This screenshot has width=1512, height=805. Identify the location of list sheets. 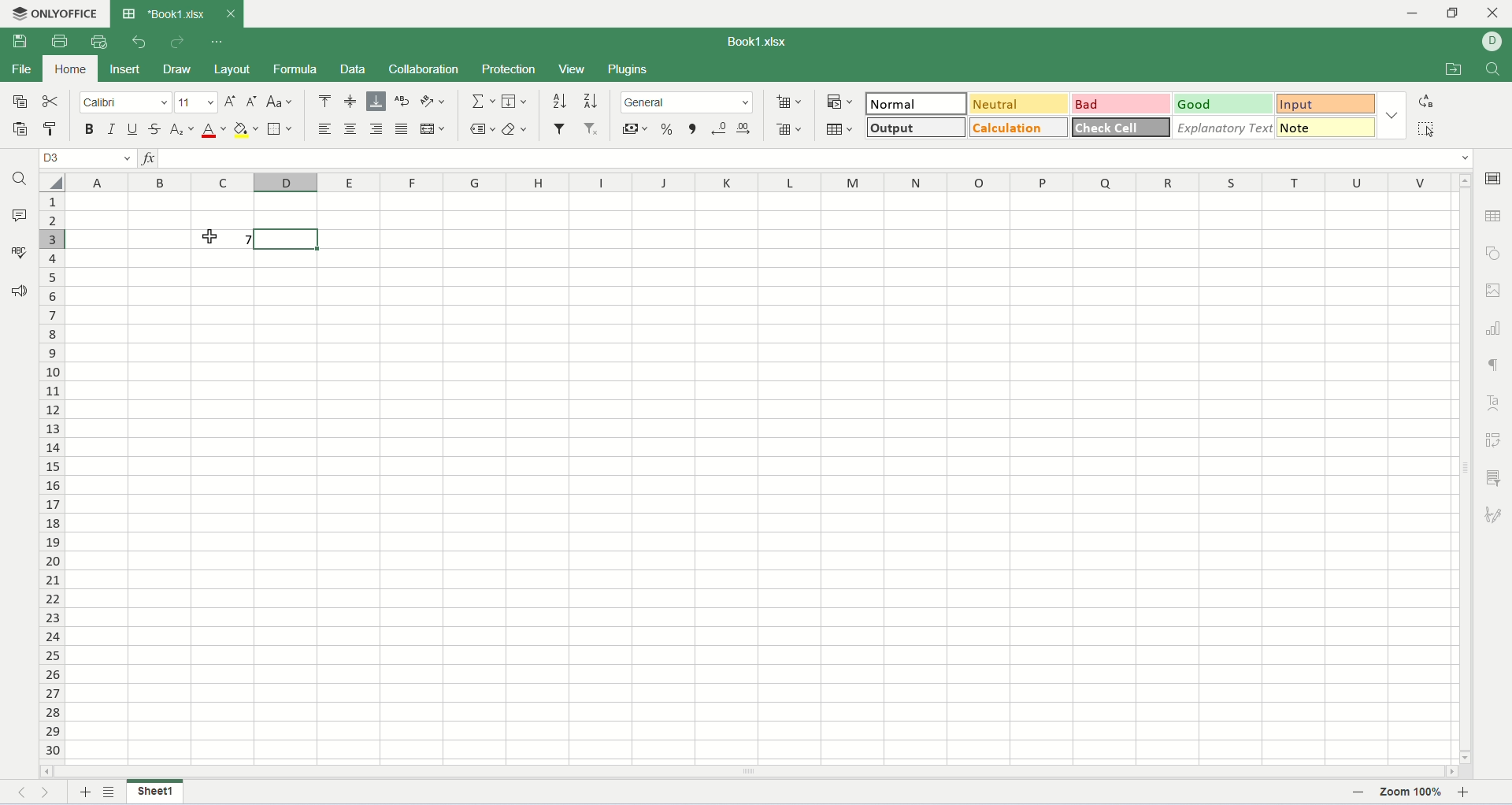
(108, 794).